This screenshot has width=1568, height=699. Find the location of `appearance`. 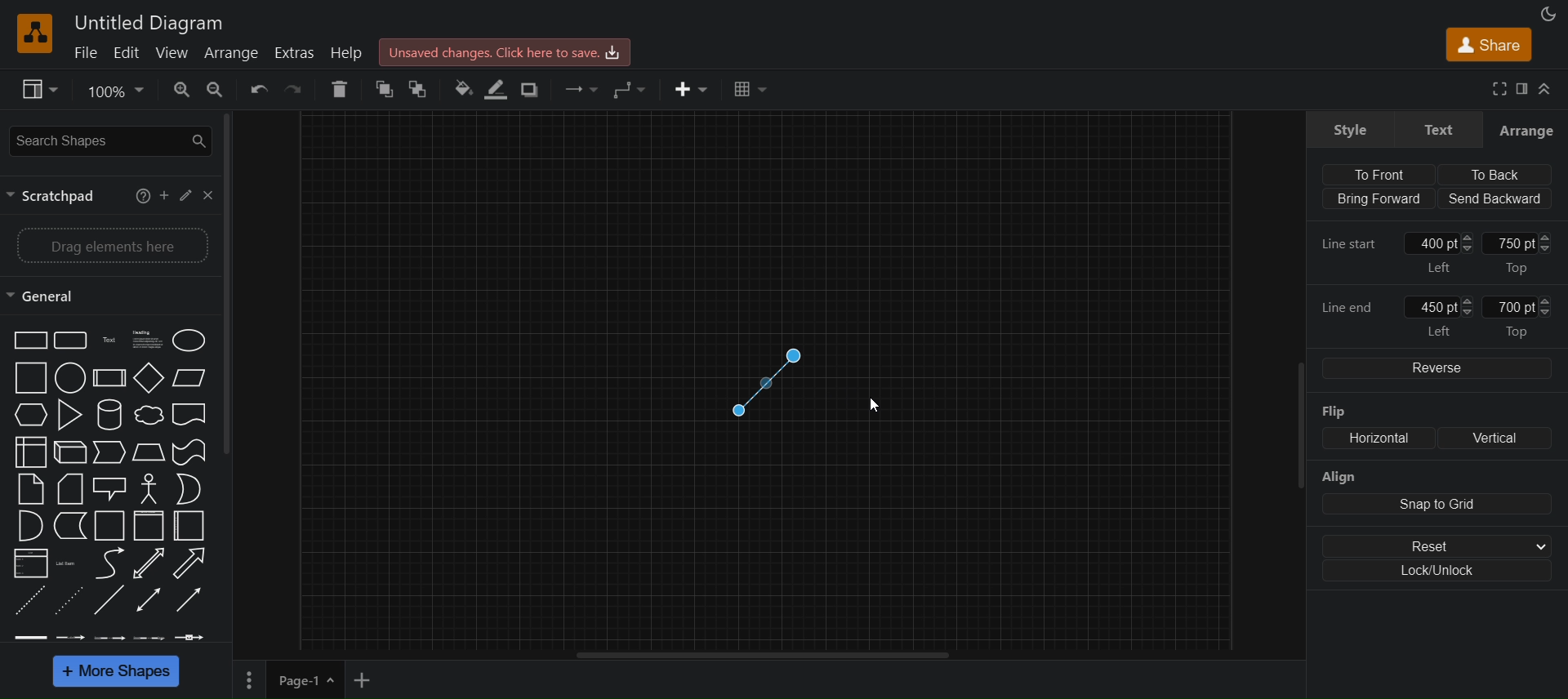

appearance is located at coordinates (1547, 15).